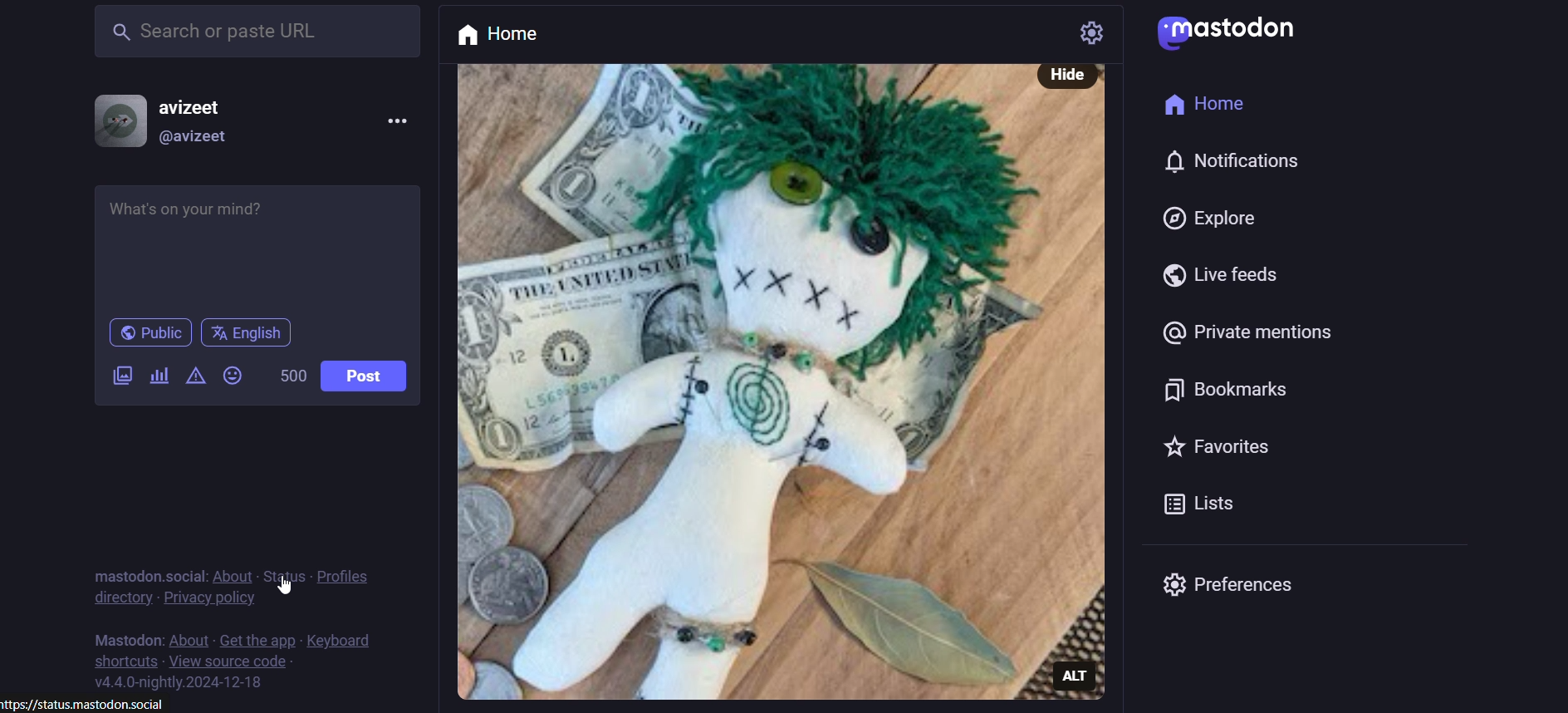 Image resolution: width=1568 pixels, height=713 pixels. I want to click on view source code, so click(233, 663).